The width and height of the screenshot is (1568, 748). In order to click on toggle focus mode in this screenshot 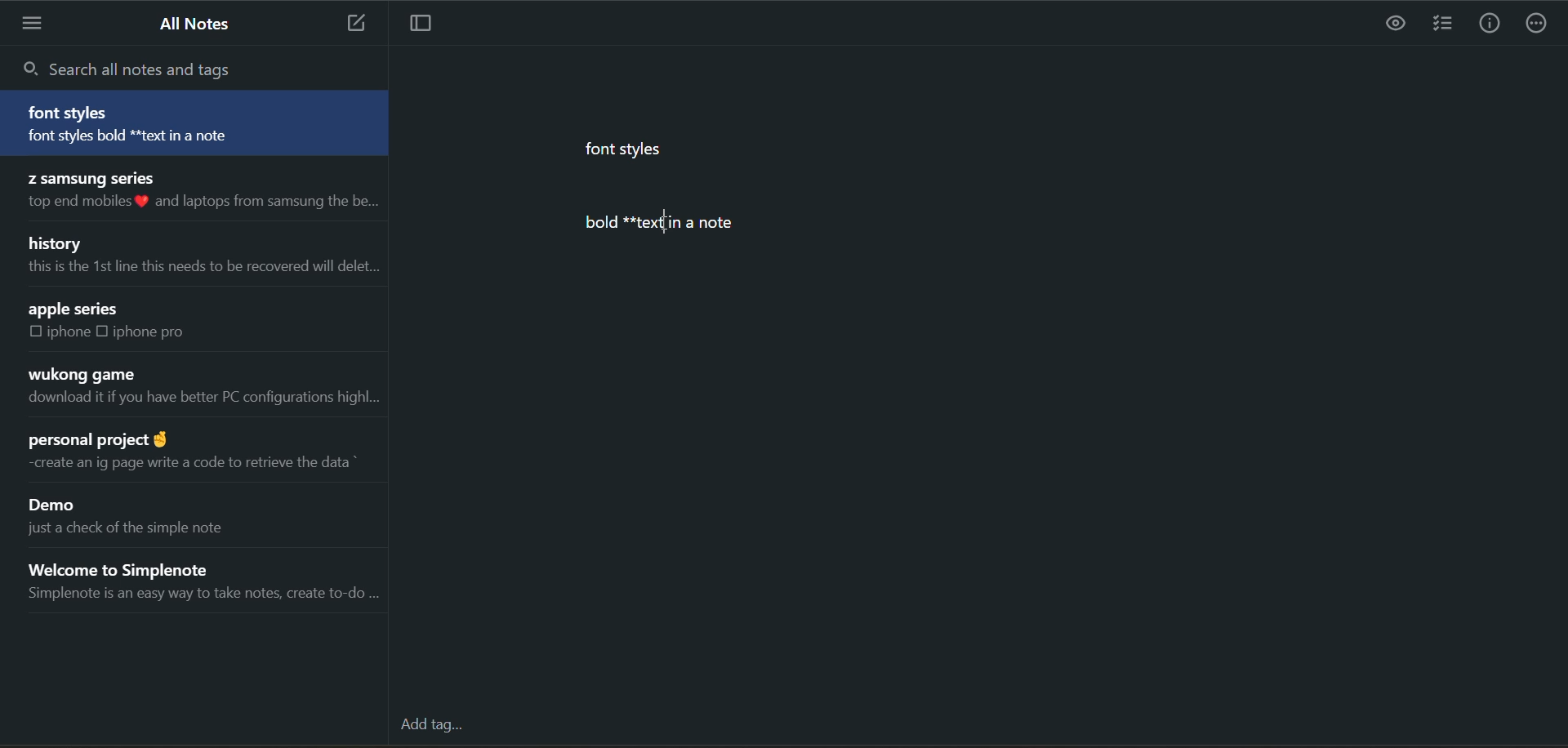, I will do `click(429, 24)`.